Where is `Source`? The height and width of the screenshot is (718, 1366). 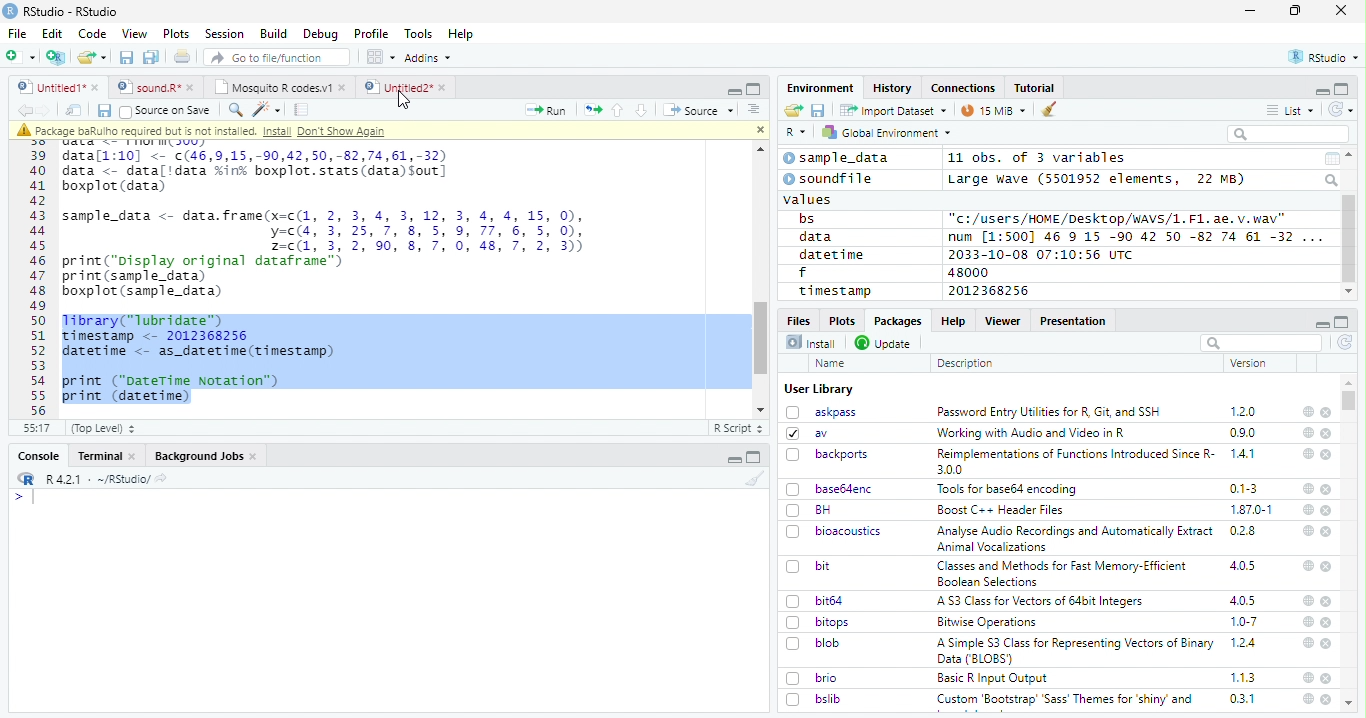
Source is located at coordinates (698, 112).